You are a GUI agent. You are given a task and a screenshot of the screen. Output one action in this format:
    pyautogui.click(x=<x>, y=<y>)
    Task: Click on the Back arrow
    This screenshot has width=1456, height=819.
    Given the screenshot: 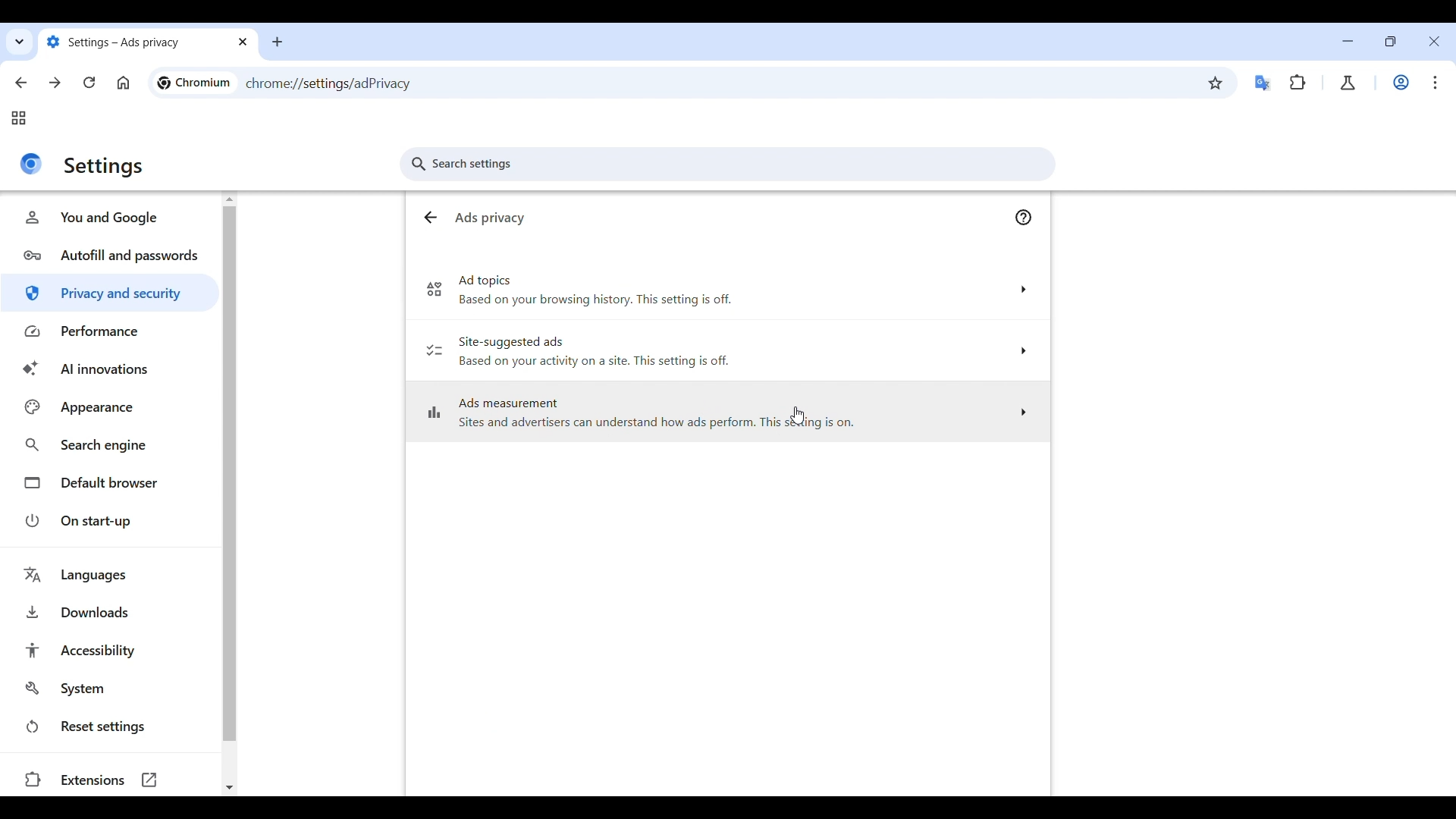 What is the action you would take?
    pyautogui.click(x=429, y=219)
    